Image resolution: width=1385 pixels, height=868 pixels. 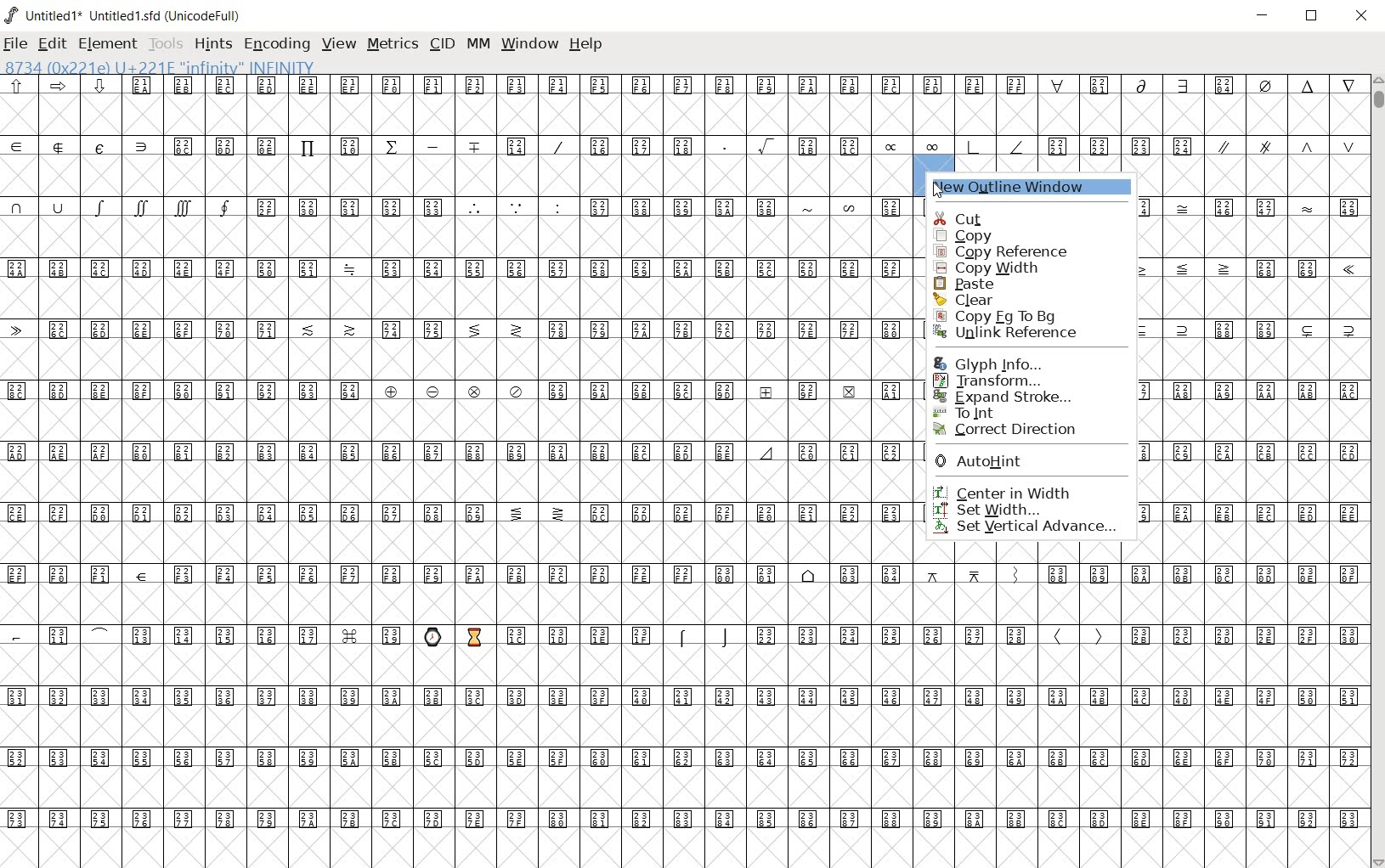 I want to click on Unicode code points, so click(x=460, y=453).